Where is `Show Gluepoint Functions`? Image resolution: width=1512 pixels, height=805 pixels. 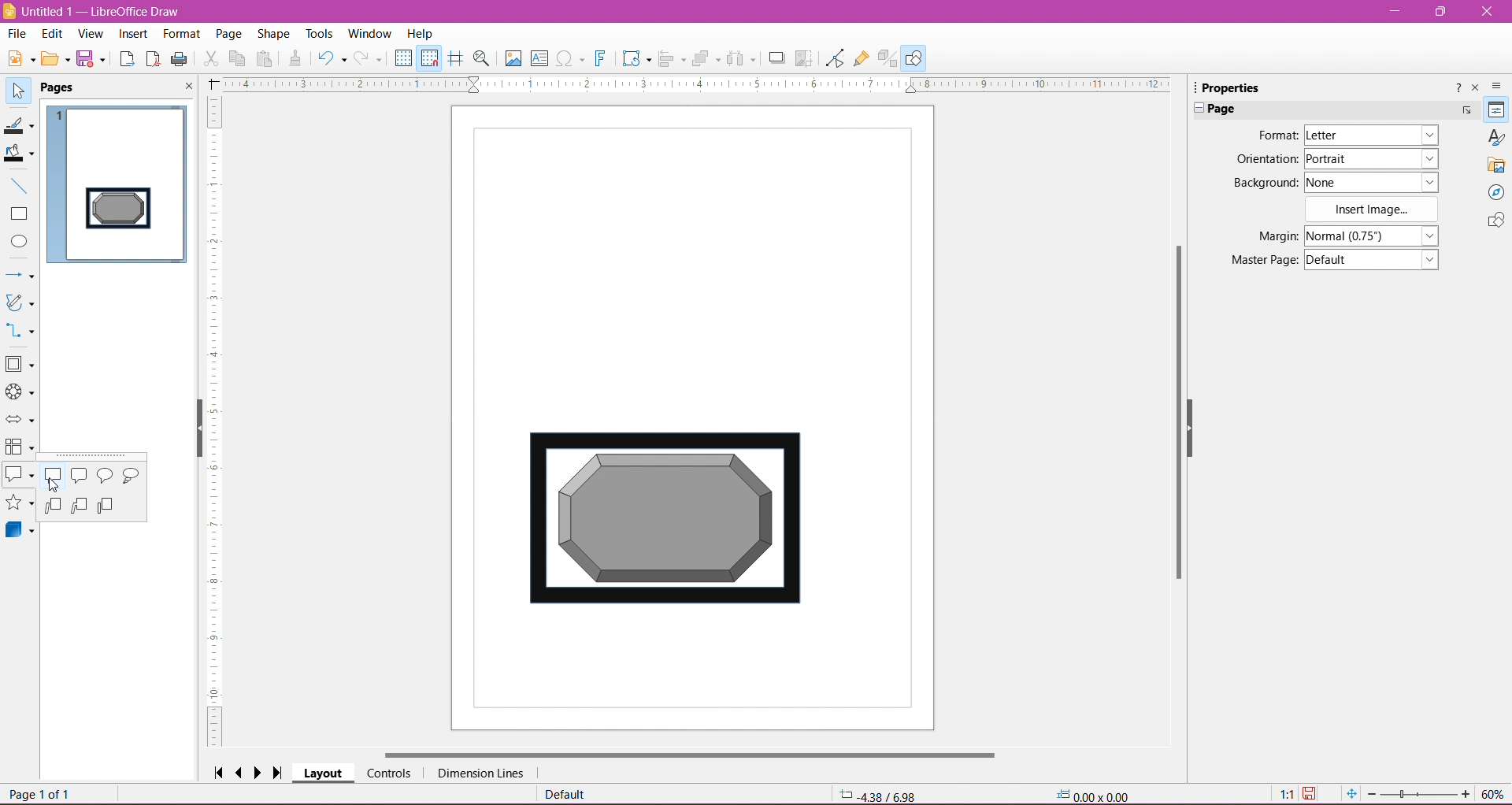 Show Gluepoint Functions is located at coordinates (861, 58).